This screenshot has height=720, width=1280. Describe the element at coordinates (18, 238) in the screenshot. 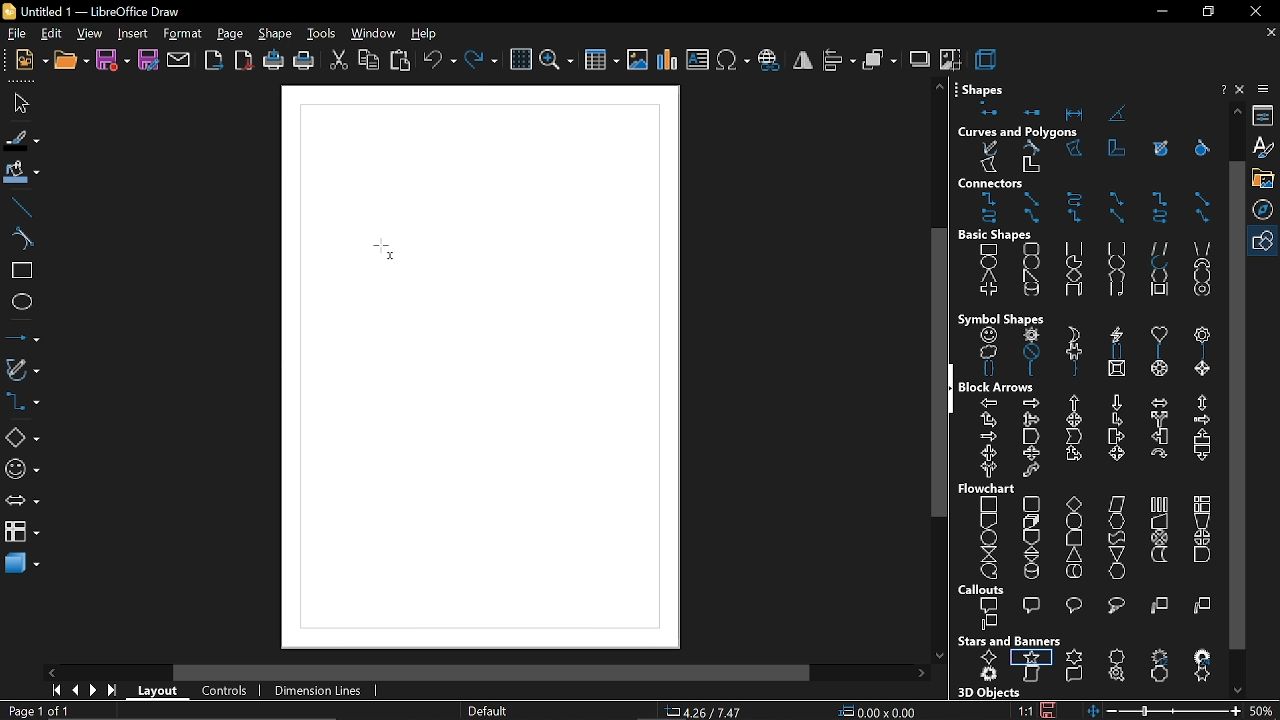

I see `curve` at that location.